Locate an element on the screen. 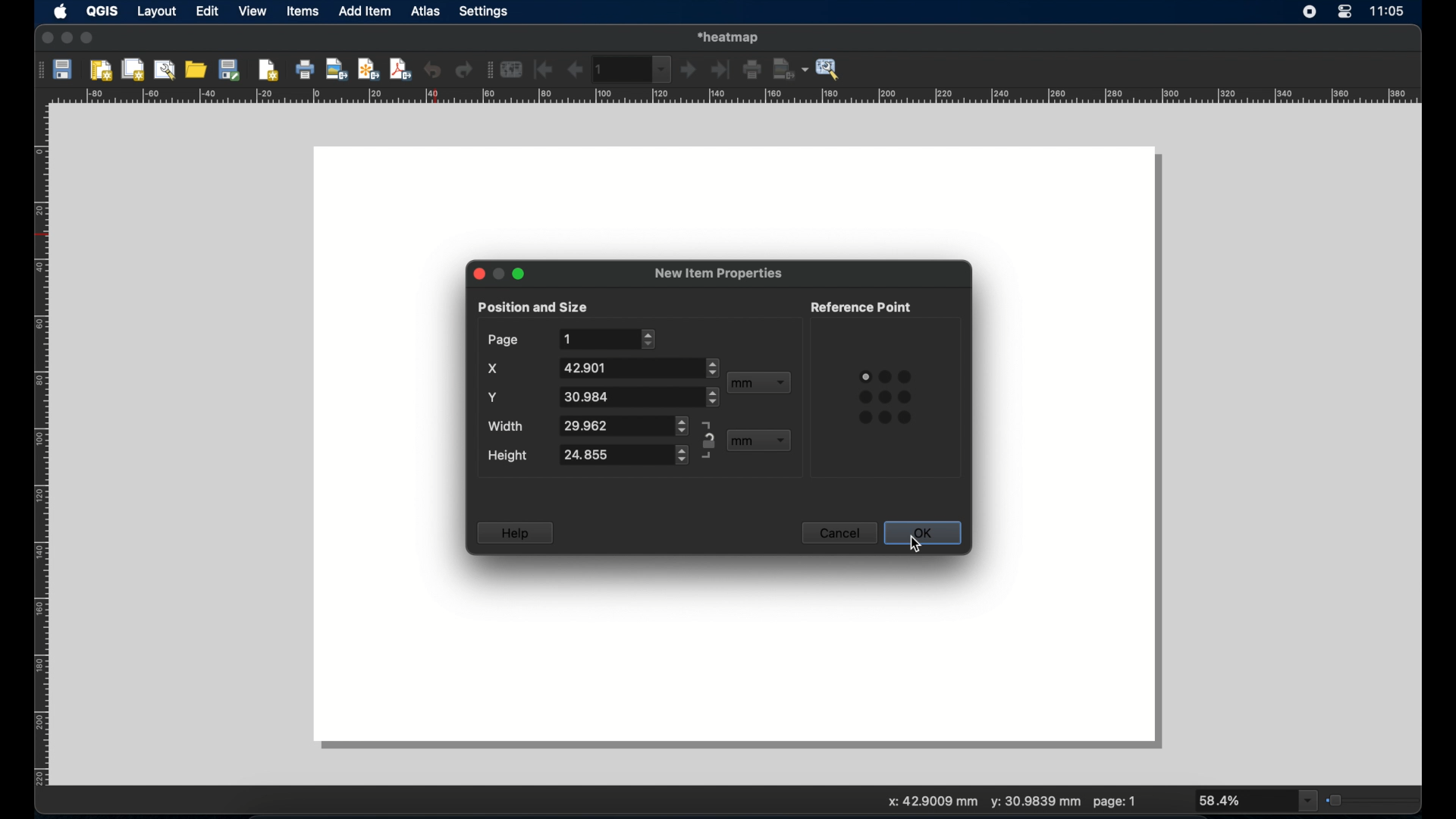  blank layout is located at coordinates (1074, 424).